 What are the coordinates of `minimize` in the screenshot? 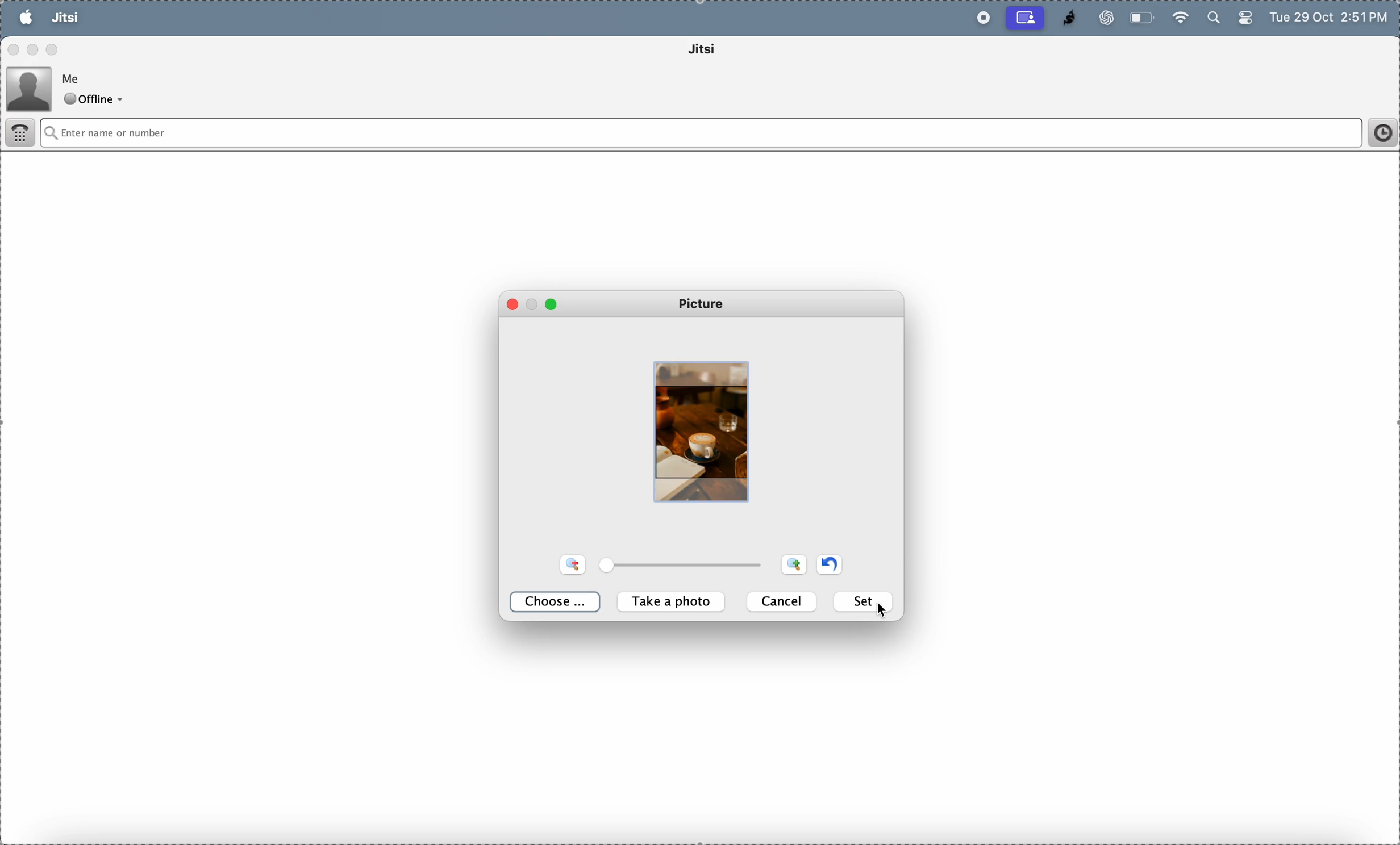 It's located at (35, 49).